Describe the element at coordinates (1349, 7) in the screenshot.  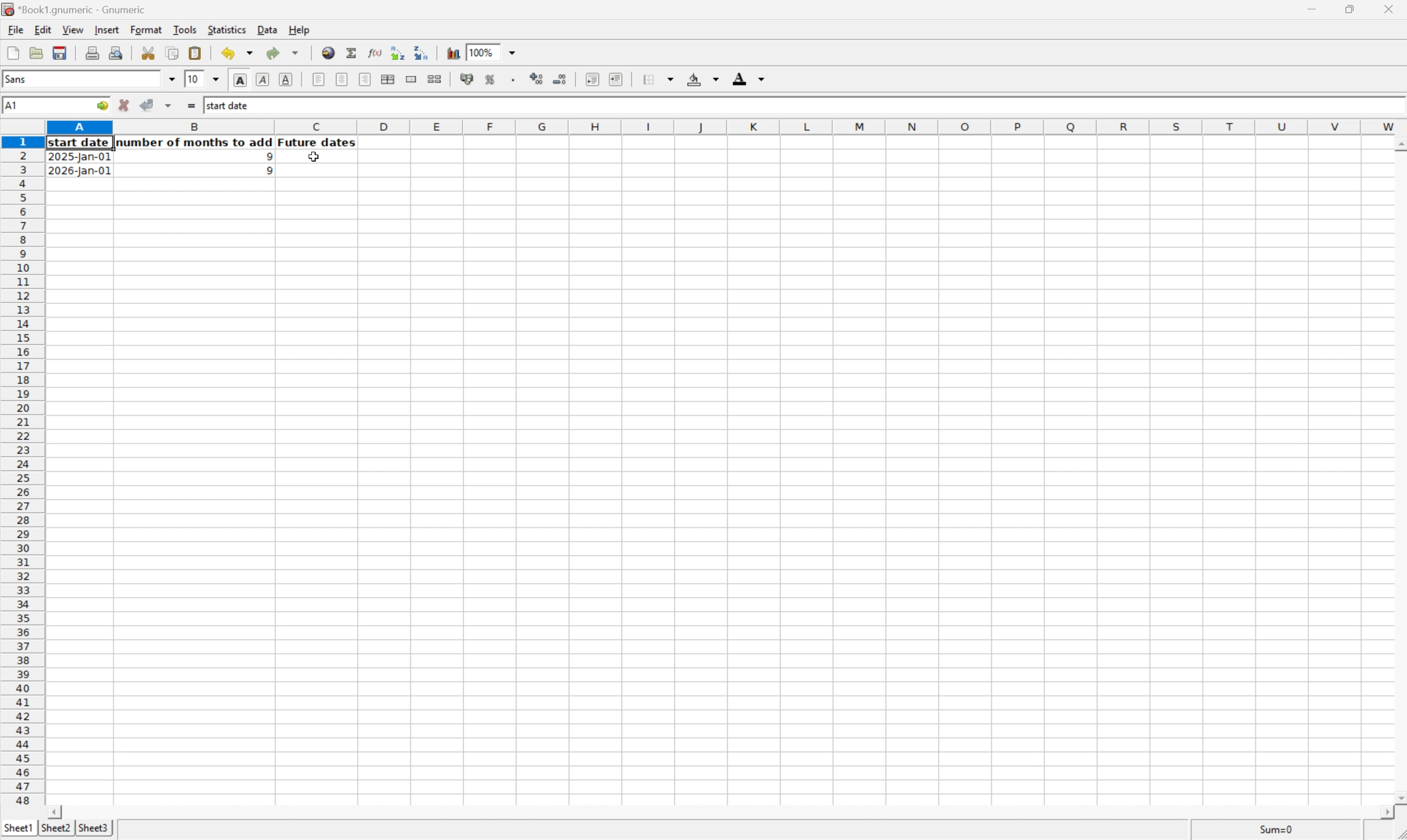
I see `Restore Down` at that location.